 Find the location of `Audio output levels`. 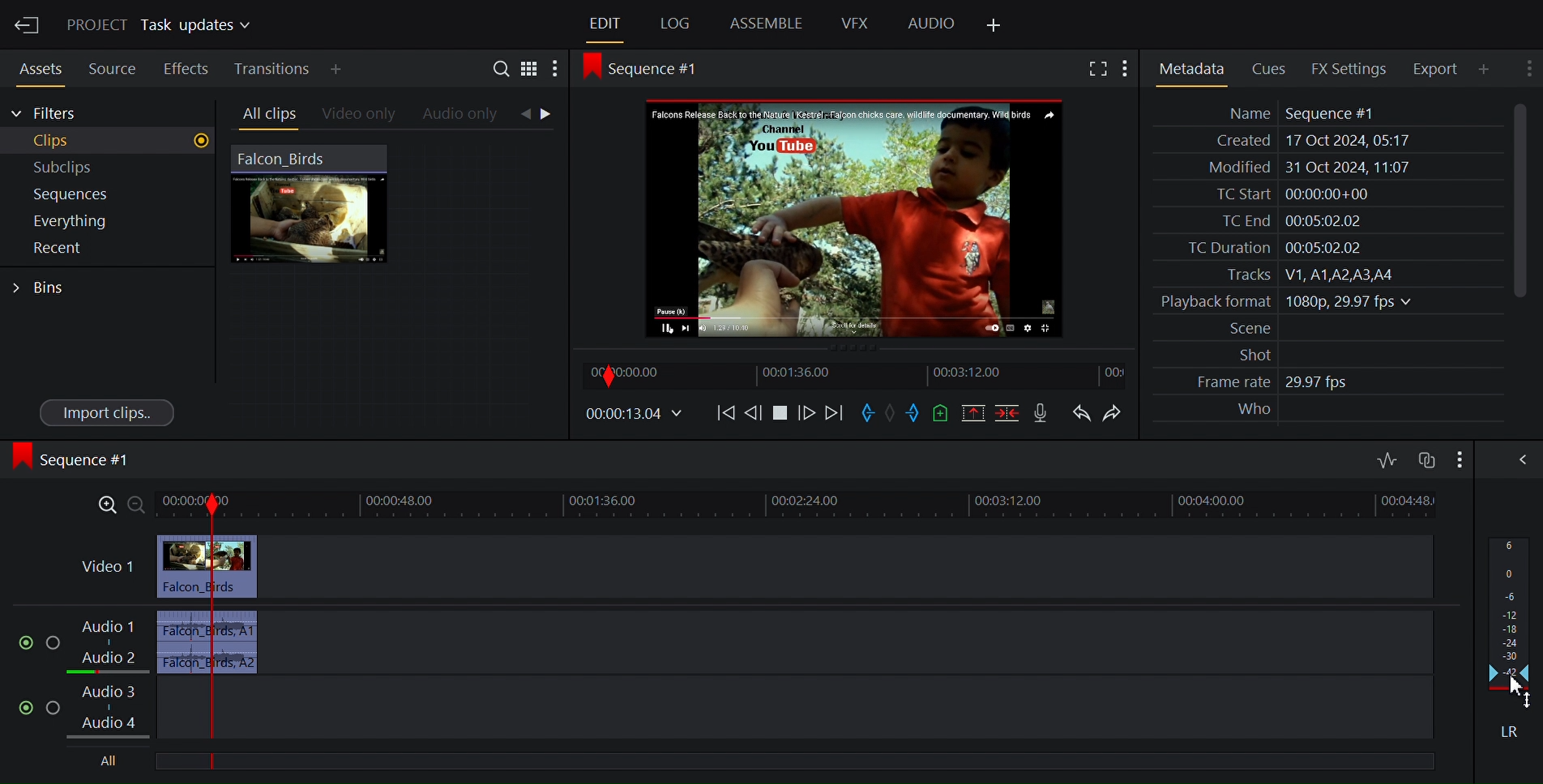

Audio output levels is located at coordinates (1510, 612).